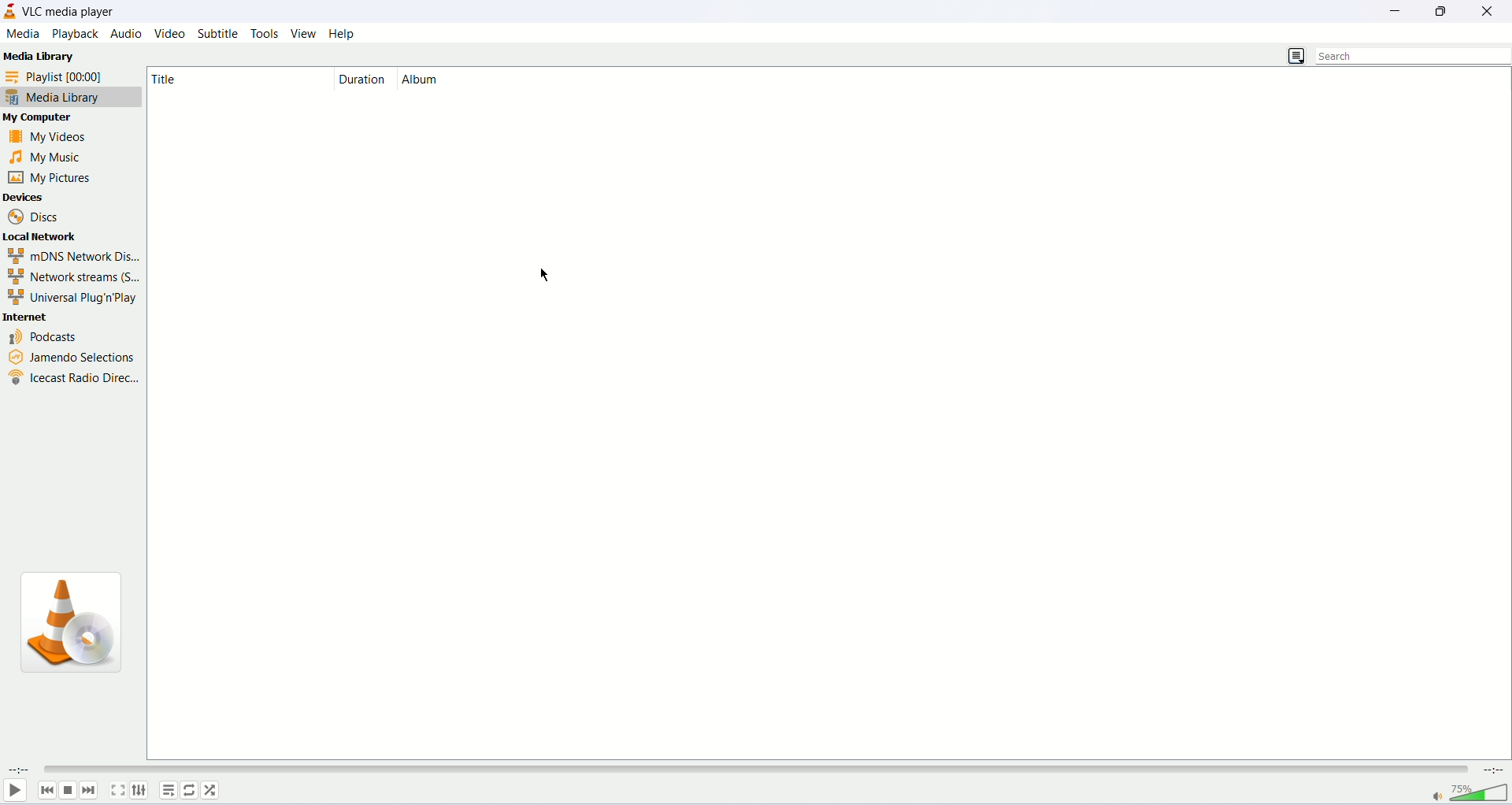 This screenshot has width=1512, height=805. I want to click on Disc, so click(35, 217).